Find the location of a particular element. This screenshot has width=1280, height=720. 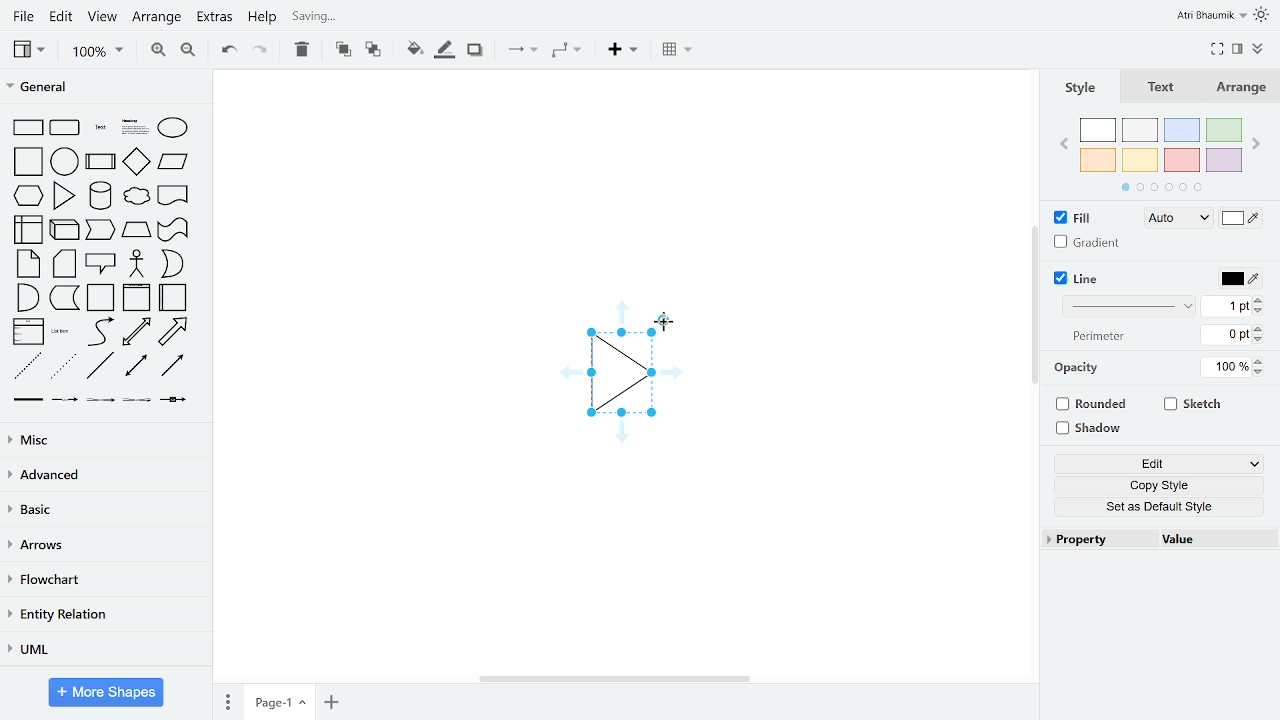

line is located at coordinates (1082, 278).